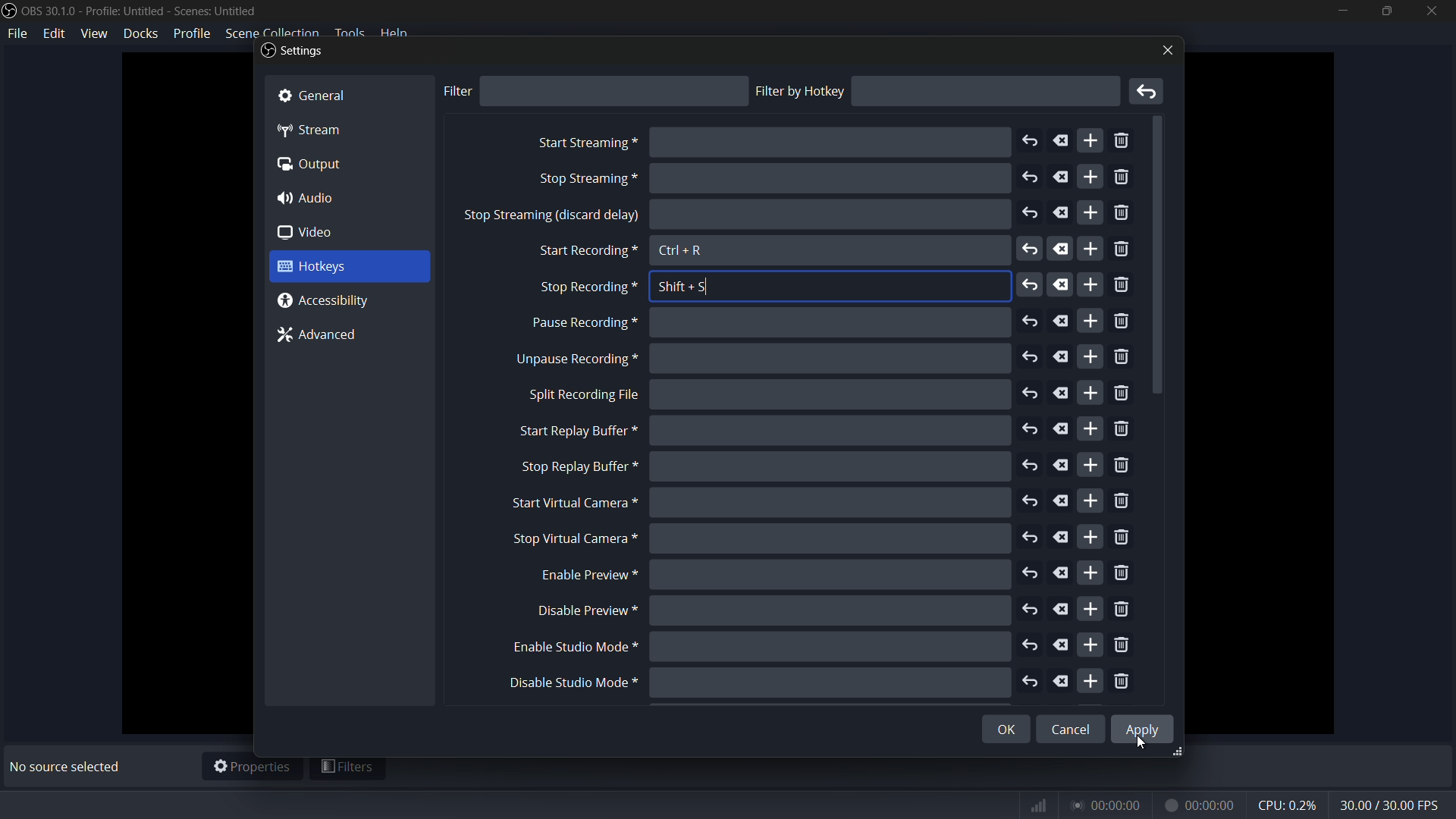 The width and height of the screenshot is (1456, 819). Describe the element at coordinates (1090, 643) in the screenshot. I see `add more` at that location.